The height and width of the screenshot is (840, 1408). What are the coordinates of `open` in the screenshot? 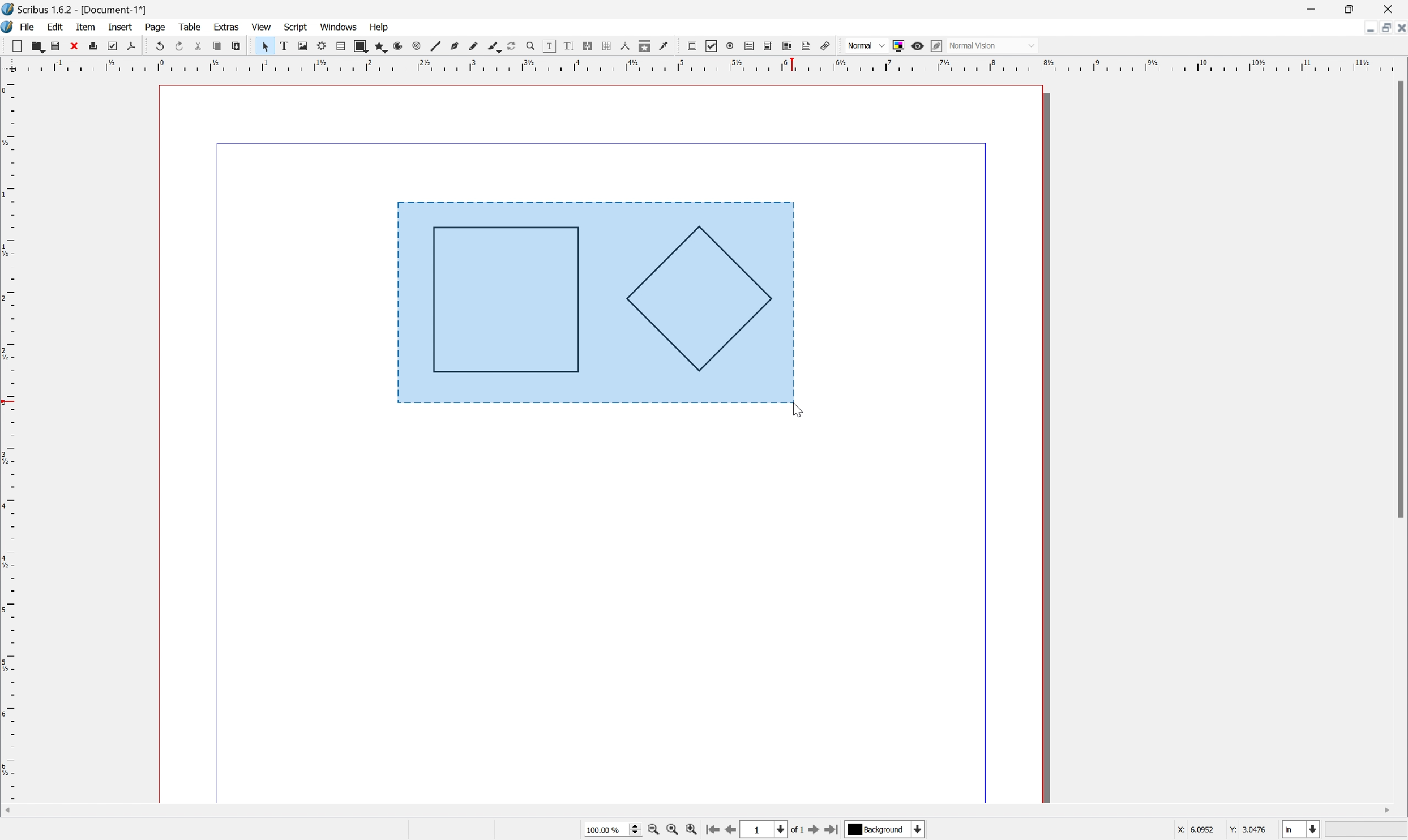 It's located at (38, 45).